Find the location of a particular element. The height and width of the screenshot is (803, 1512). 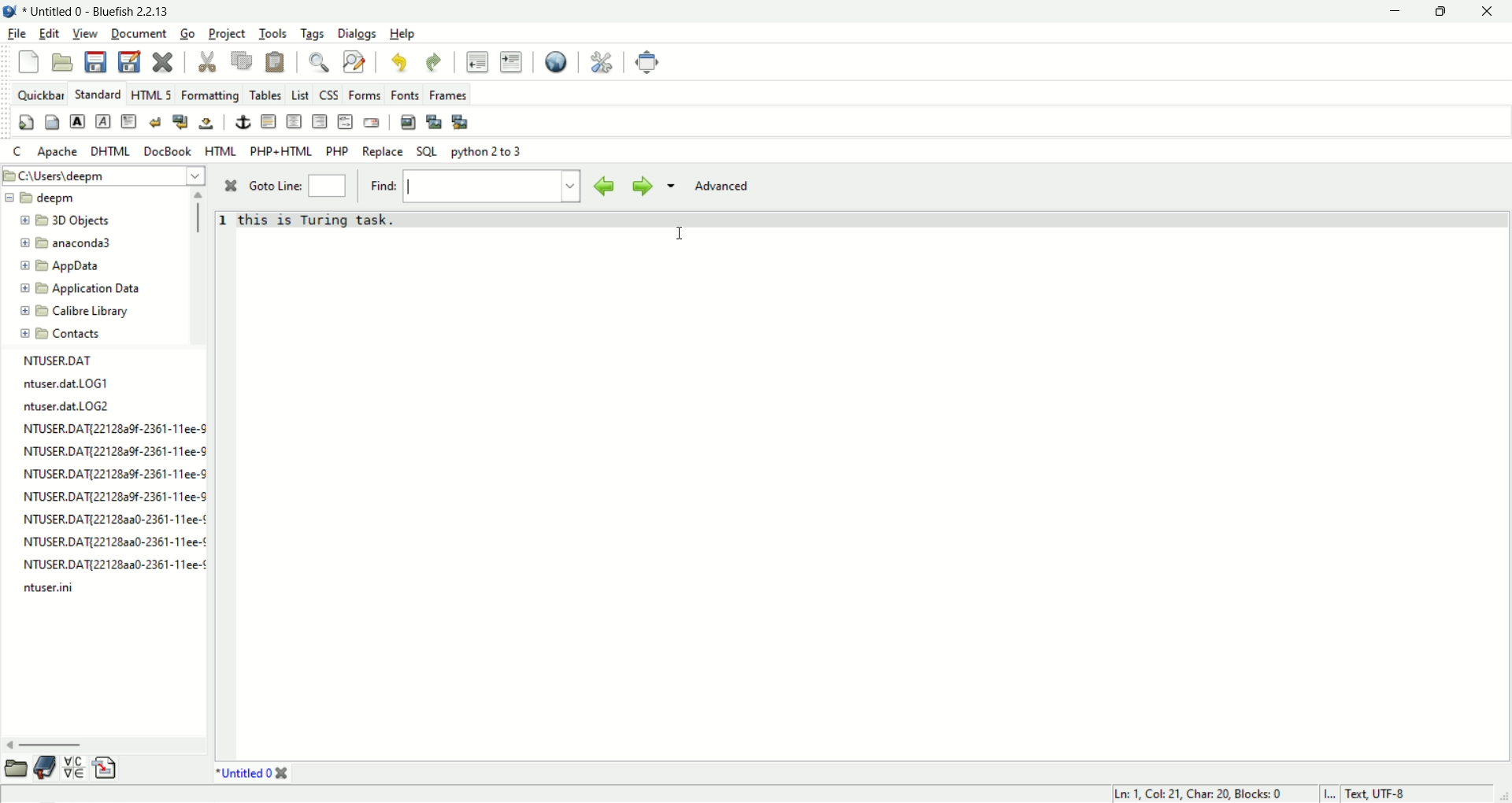

I... Text, UTF-8 is located at coordinates (1366, 792).